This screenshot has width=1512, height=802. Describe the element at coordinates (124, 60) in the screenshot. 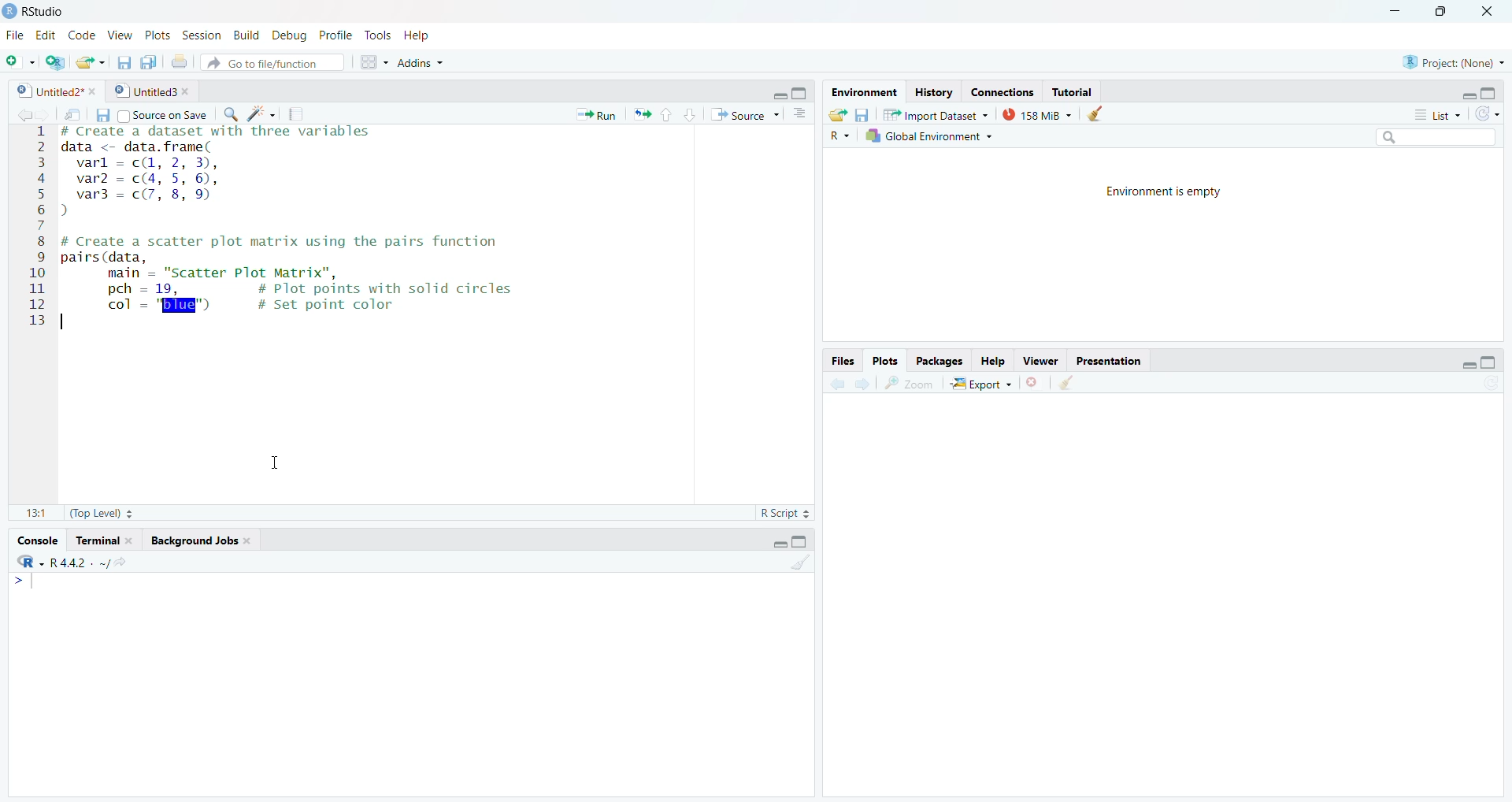

I see `Save current document` at that location.